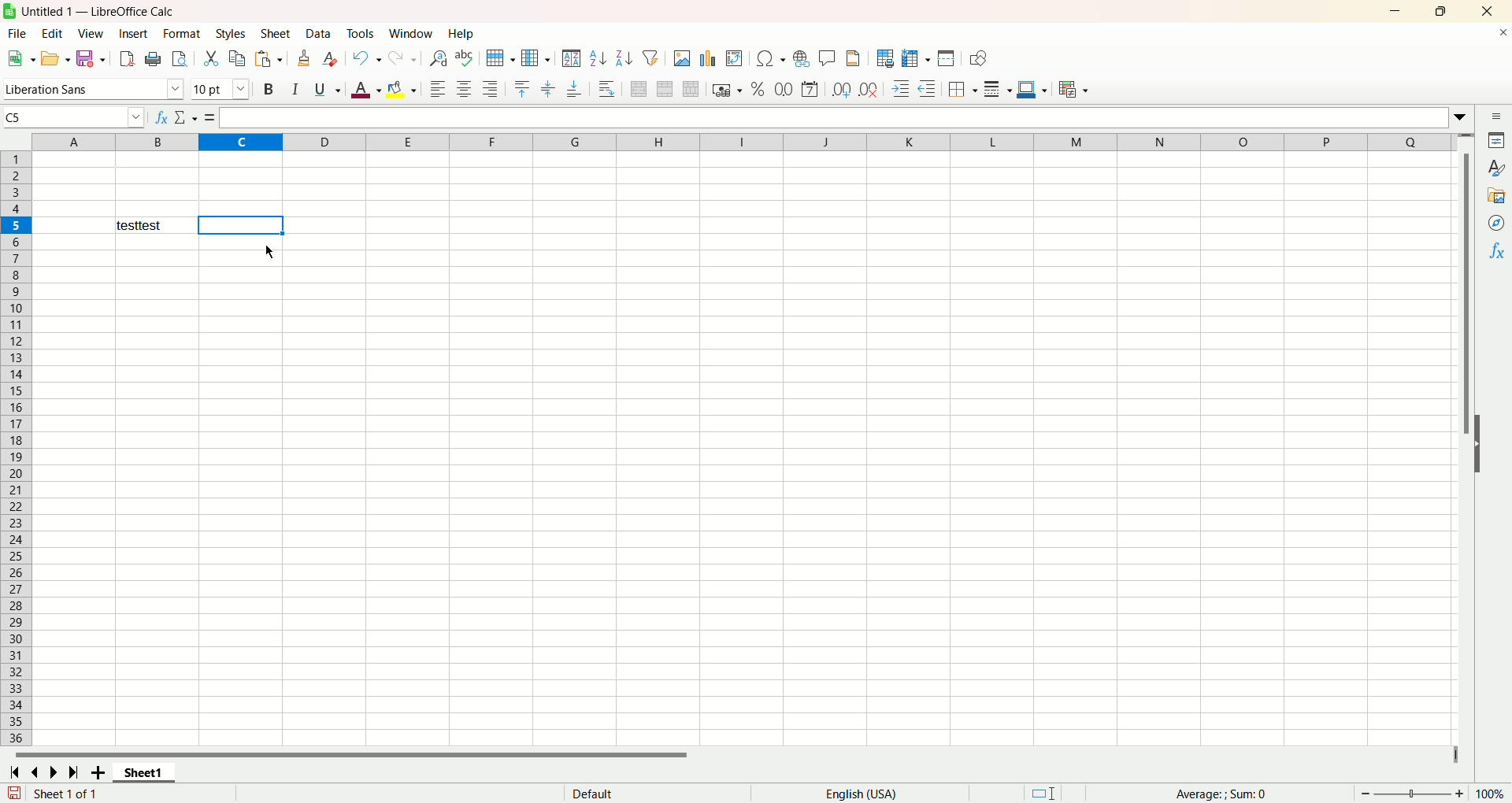  Describe the element at coordinates (856, 58) in the screenshot. I see `headers and footers` at that location.